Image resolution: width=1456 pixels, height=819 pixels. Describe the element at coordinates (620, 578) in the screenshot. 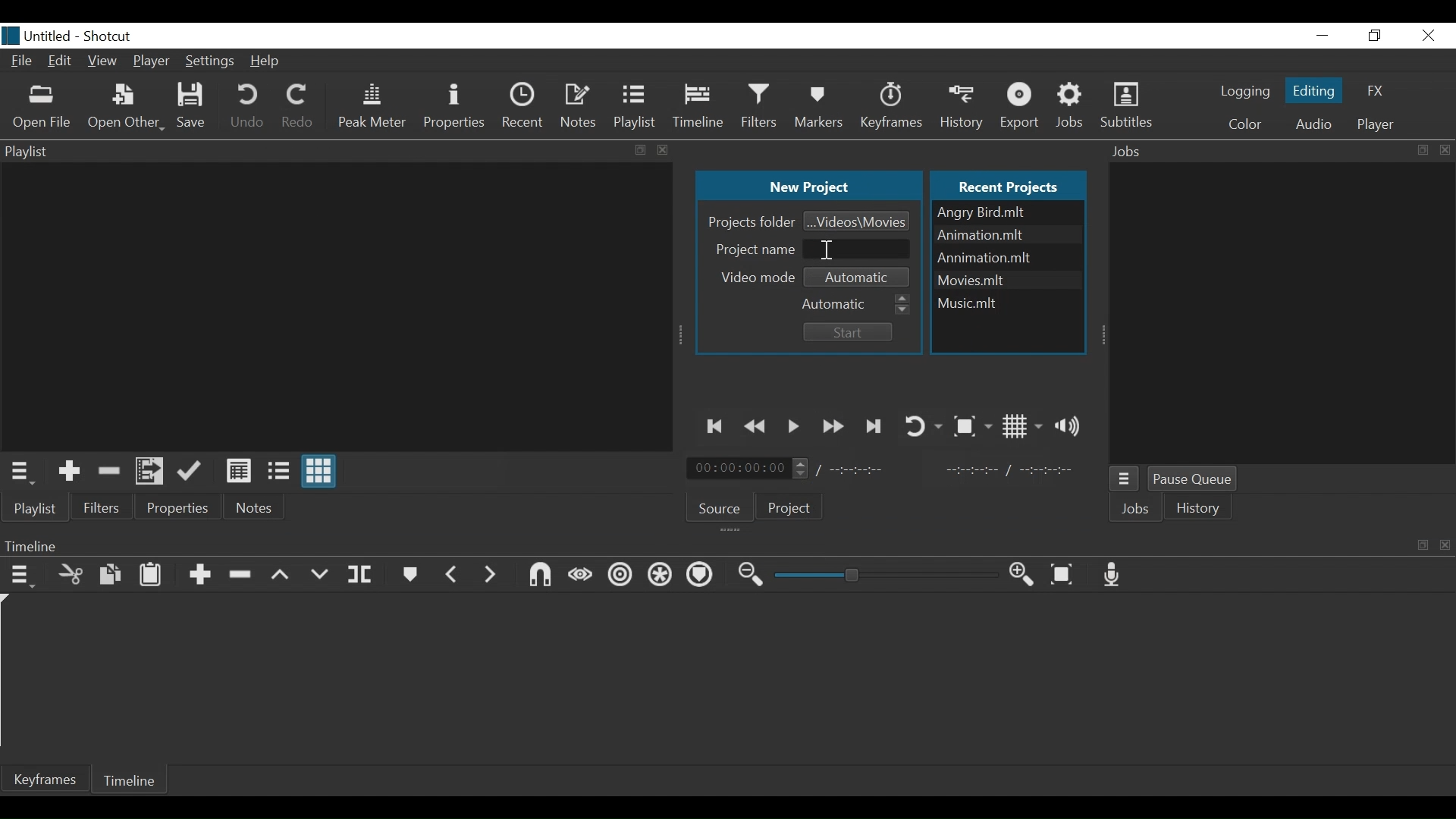

I see `Ripple` at that location.